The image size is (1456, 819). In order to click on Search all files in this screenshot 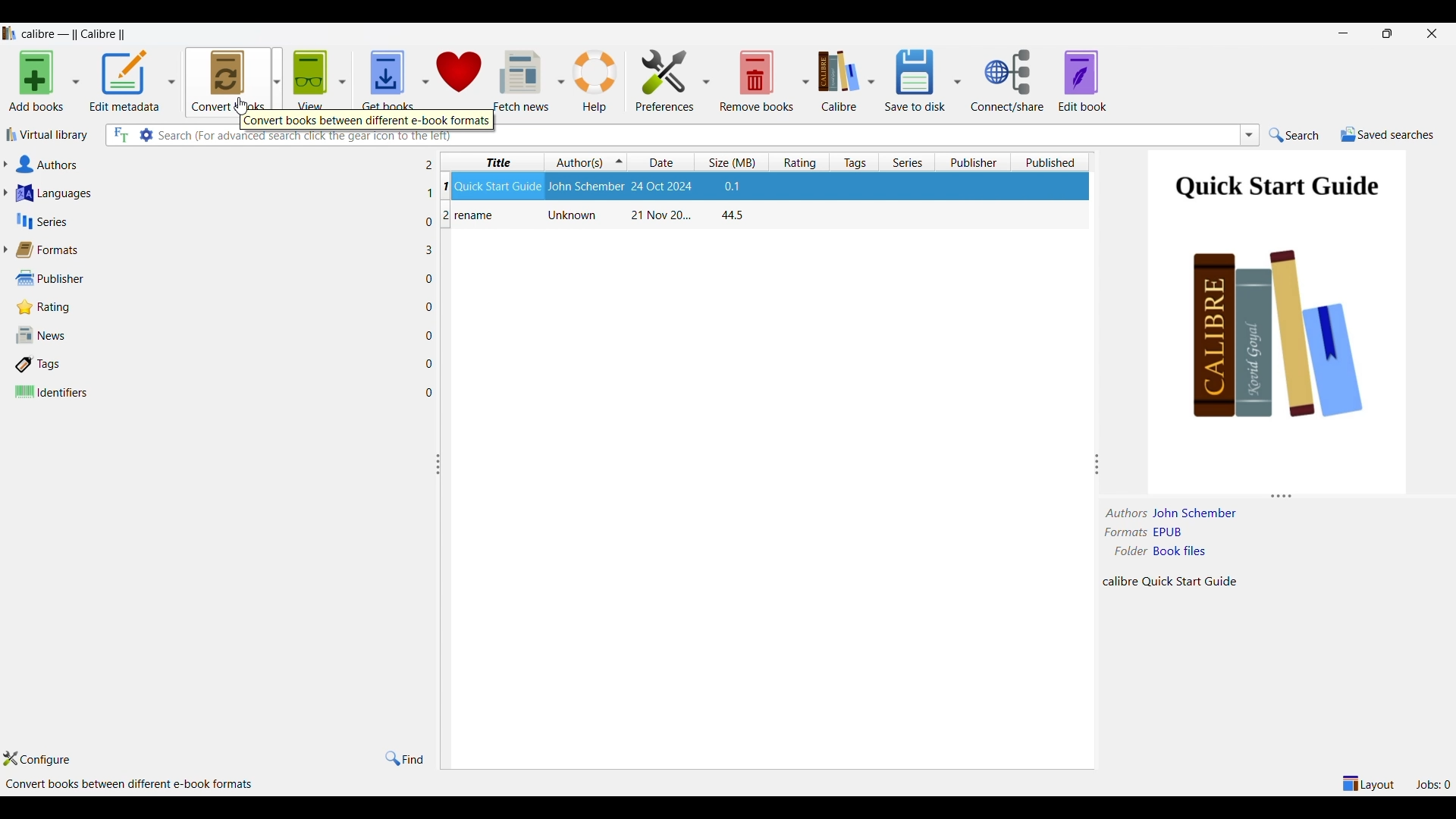, I will do `click(120, 135)`.